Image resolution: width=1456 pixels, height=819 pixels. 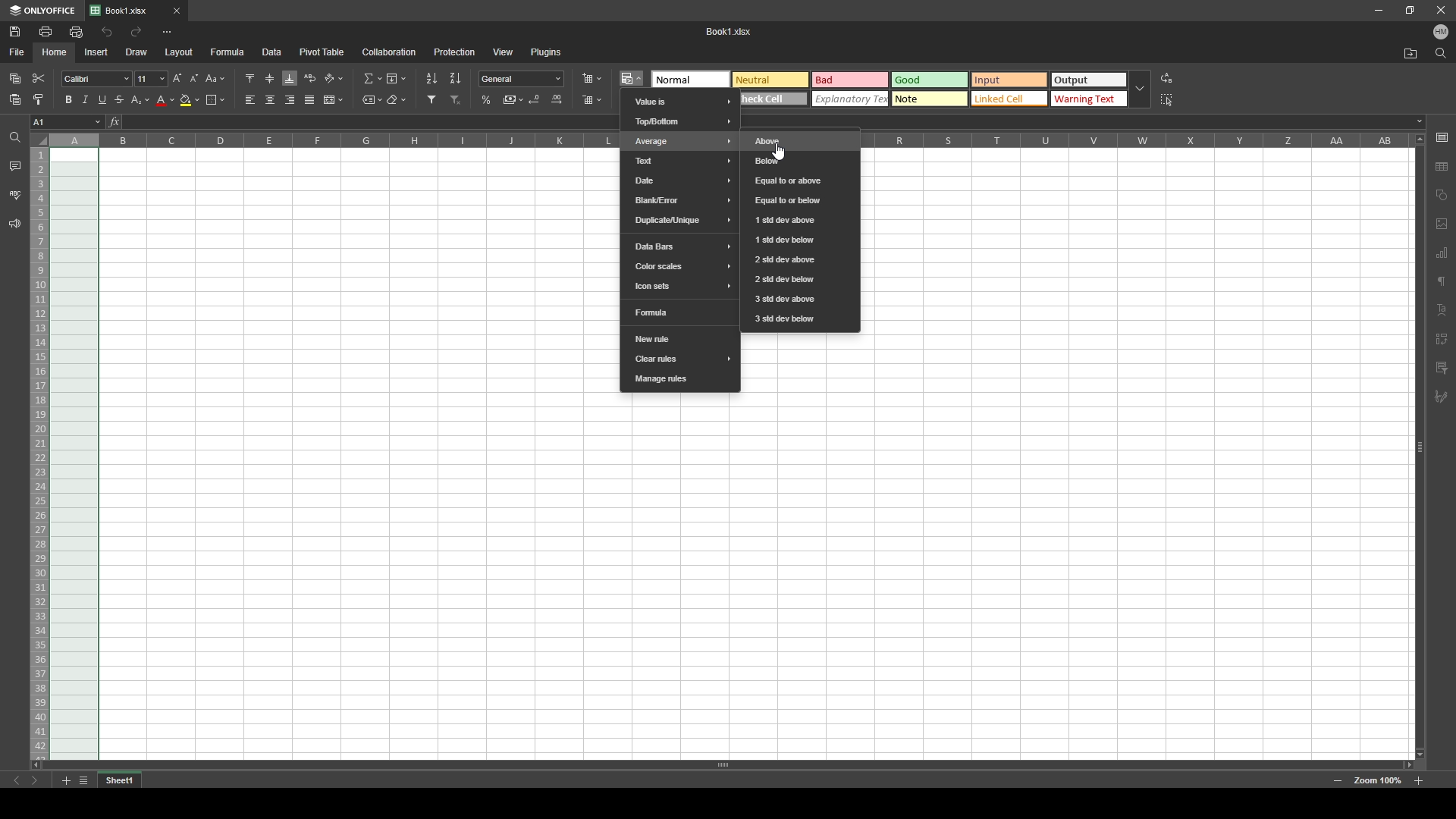 What do you see at coordinates (694, 77) in the screenshot?
I see `normal` at bounding box center [694, 77].